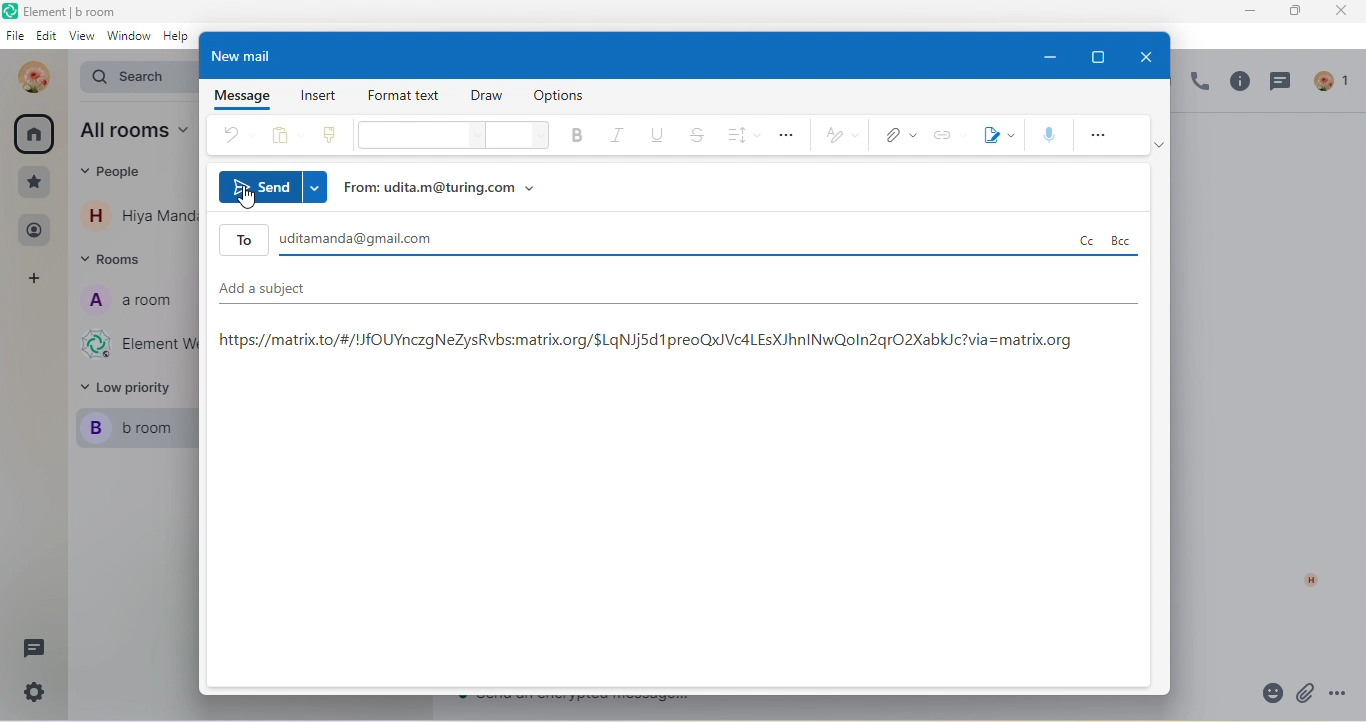 Image resolution: width=1366 pixels, height=722 pixels. What do you see at coordinates (651, 343) in the screenshot?
I see `https://matrix.to/#/!/fOUYnczgNeZysRvbs:matrix.org/$LqNJj5d 1 preoQx)VedLEsXJhnINwQoln2qrO2XabkJc?via=matrix.org` at bounding box center [651, 343].